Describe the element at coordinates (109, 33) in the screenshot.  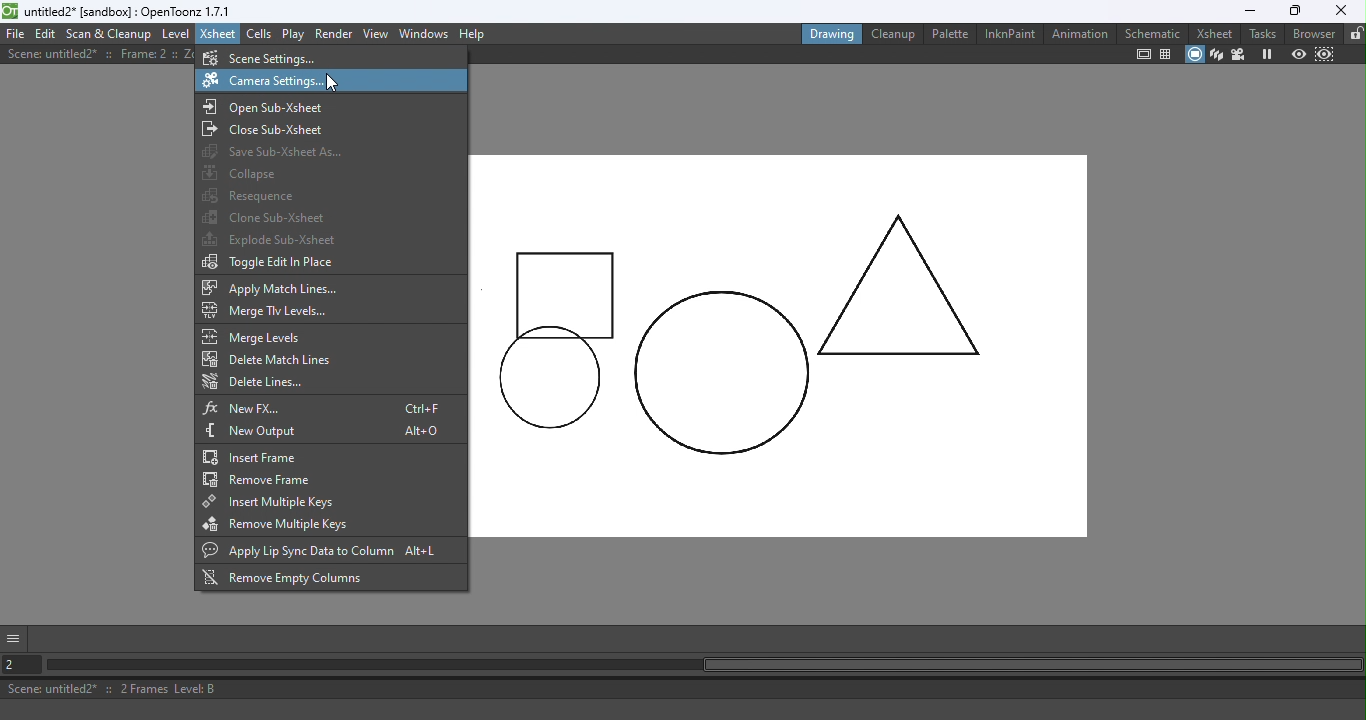
I see `Scan & Cleanup` at that location.